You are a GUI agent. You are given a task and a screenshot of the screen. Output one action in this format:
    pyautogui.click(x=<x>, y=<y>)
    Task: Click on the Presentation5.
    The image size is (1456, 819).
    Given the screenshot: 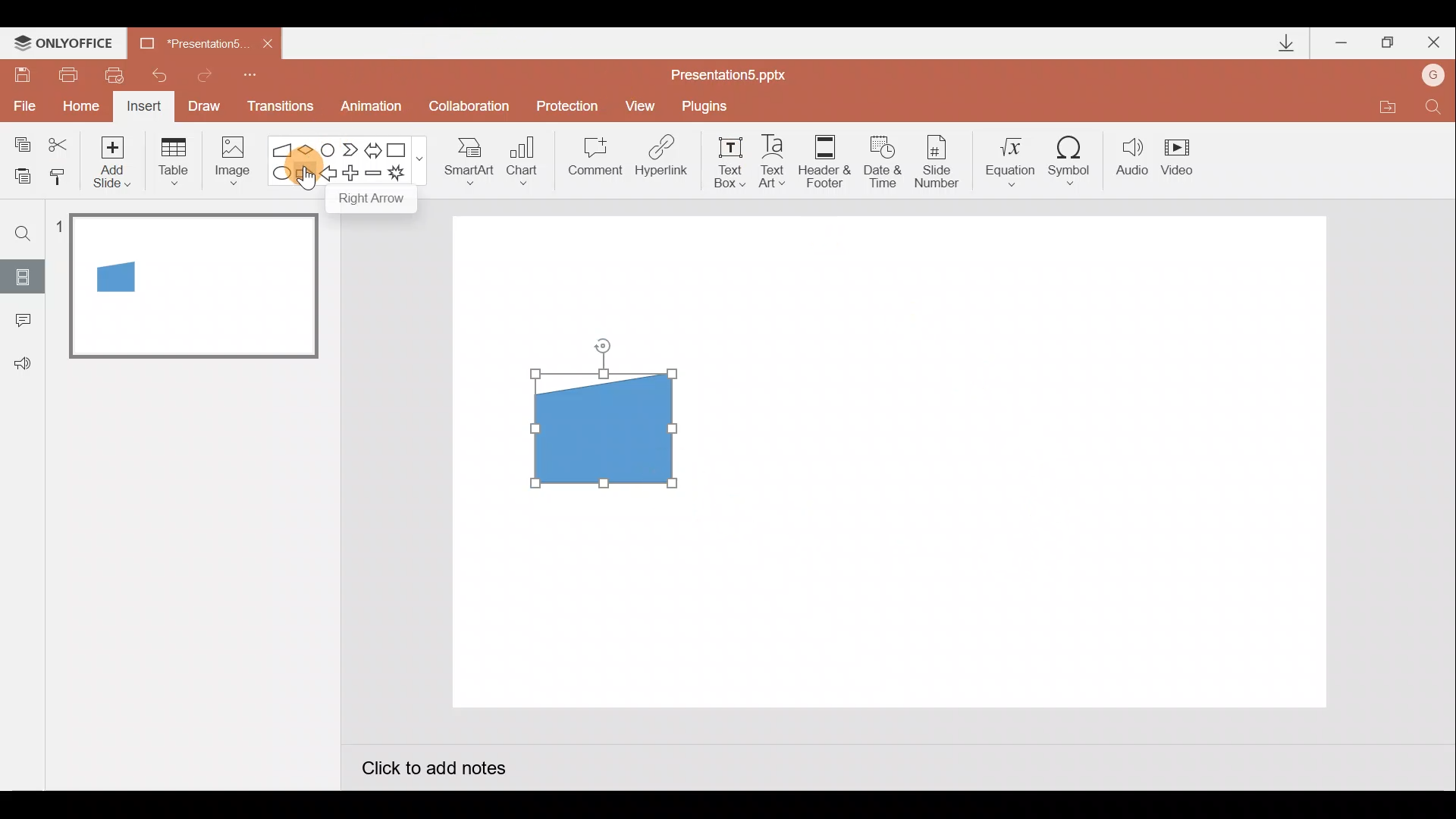 What is the action you would take?
    pyautogui.click(x=187, y=41)
    